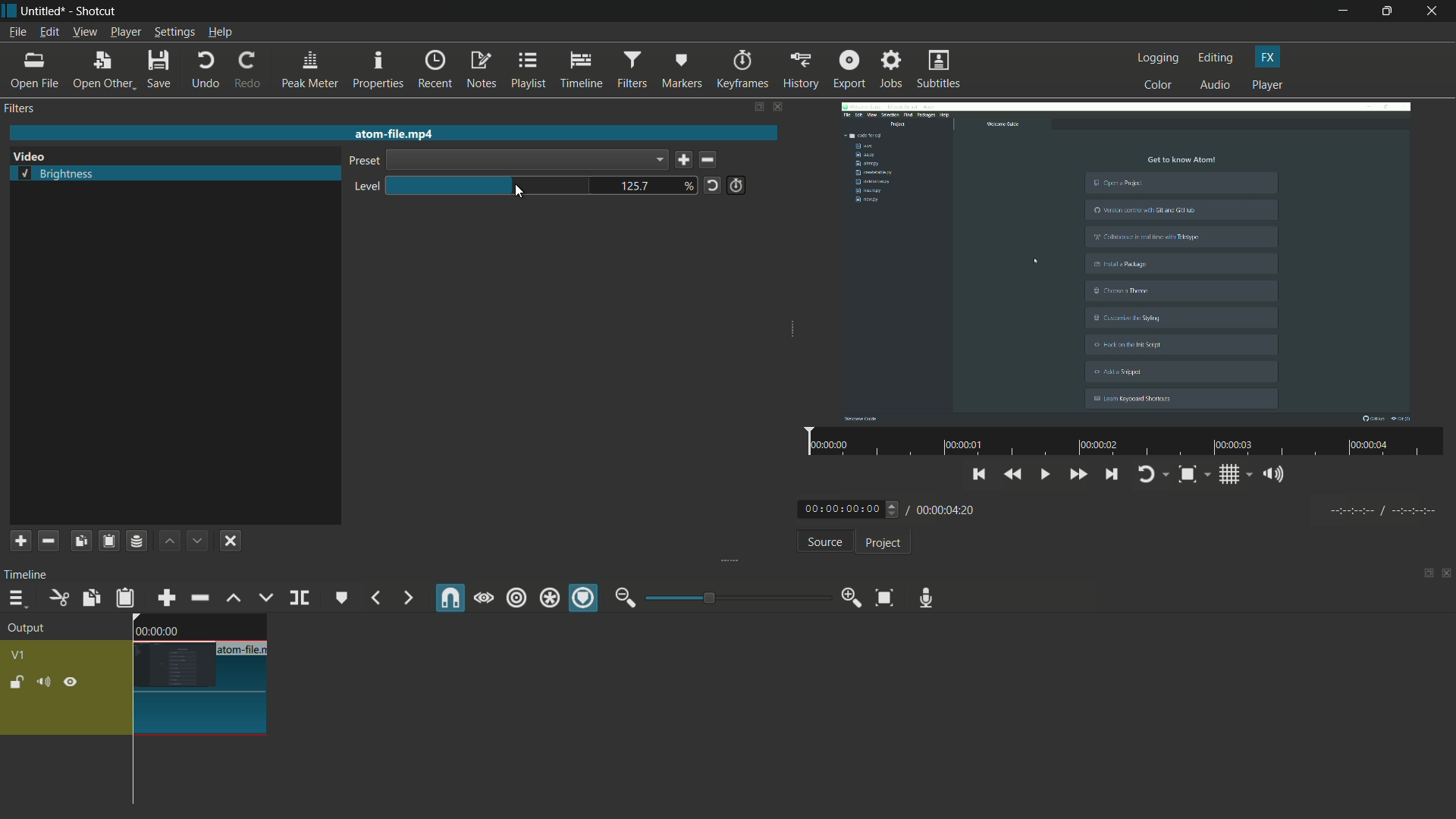  What do you see at coordinates (780, 108) in the screenshot?
I see `close filter pane` at bounding box center [780, 108].